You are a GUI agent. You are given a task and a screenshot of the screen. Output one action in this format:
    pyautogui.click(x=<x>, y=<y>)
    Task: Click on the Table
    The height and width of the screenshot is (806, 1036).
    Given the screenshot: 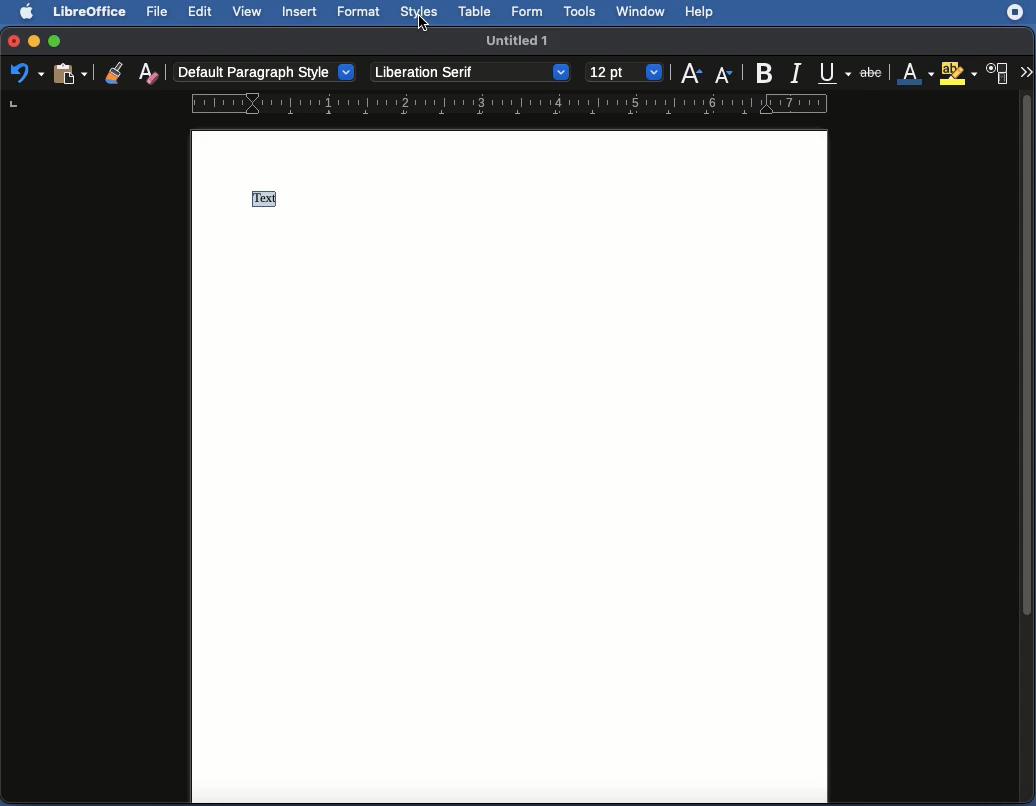 What is the action you would take?
    pyautogui.click(x=476, y=12)
    